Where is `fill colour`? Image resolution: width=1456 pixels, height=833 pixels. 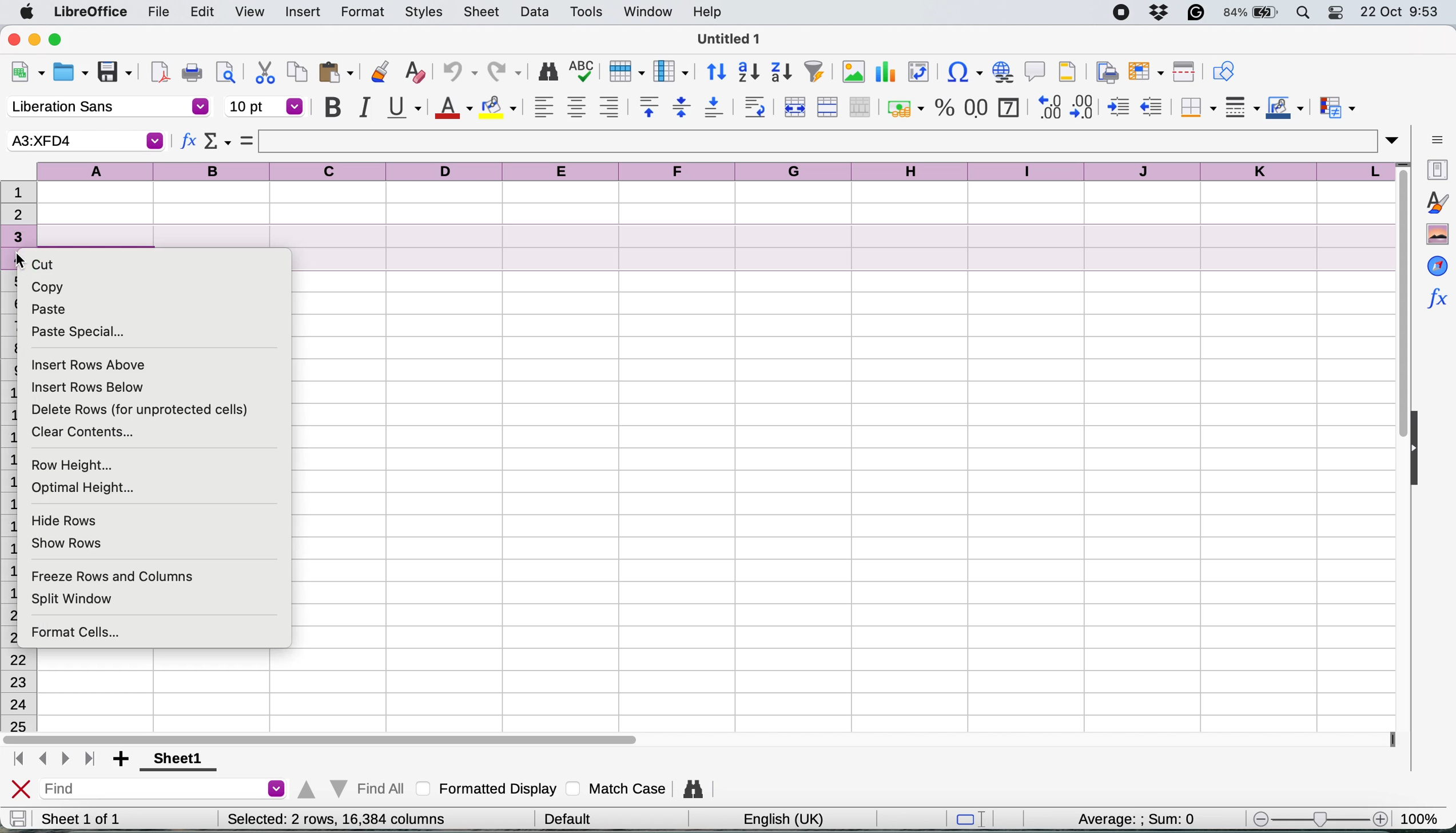
fill colour is located at coordinates (501, 108).